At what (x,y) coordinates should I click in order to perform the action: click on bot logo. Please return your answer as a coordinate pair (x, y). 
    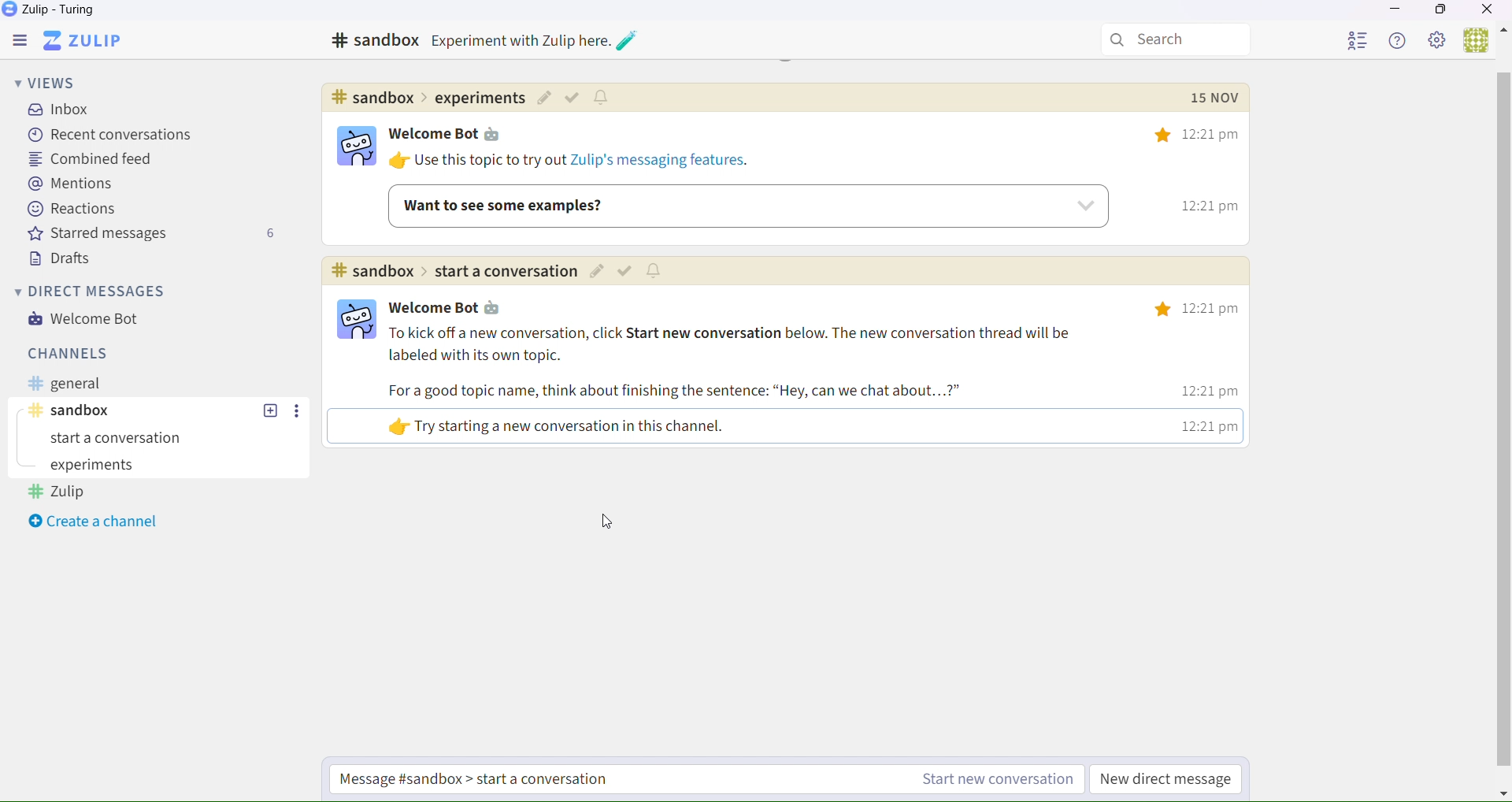
    Looking at the image, I should click on (358, 150).